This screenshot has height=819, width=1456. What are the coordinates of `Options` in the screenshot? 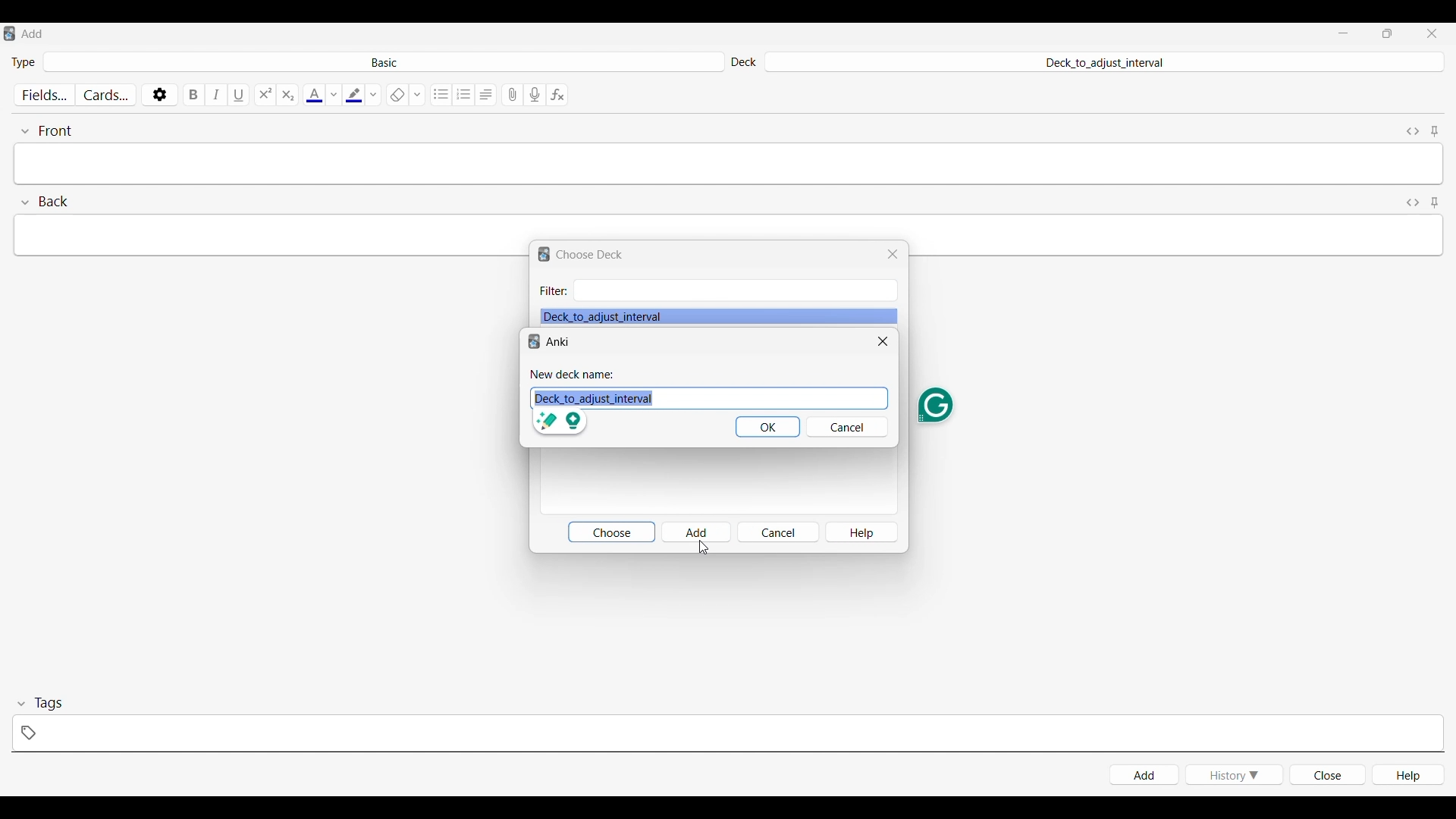 It's located at (159, 94).